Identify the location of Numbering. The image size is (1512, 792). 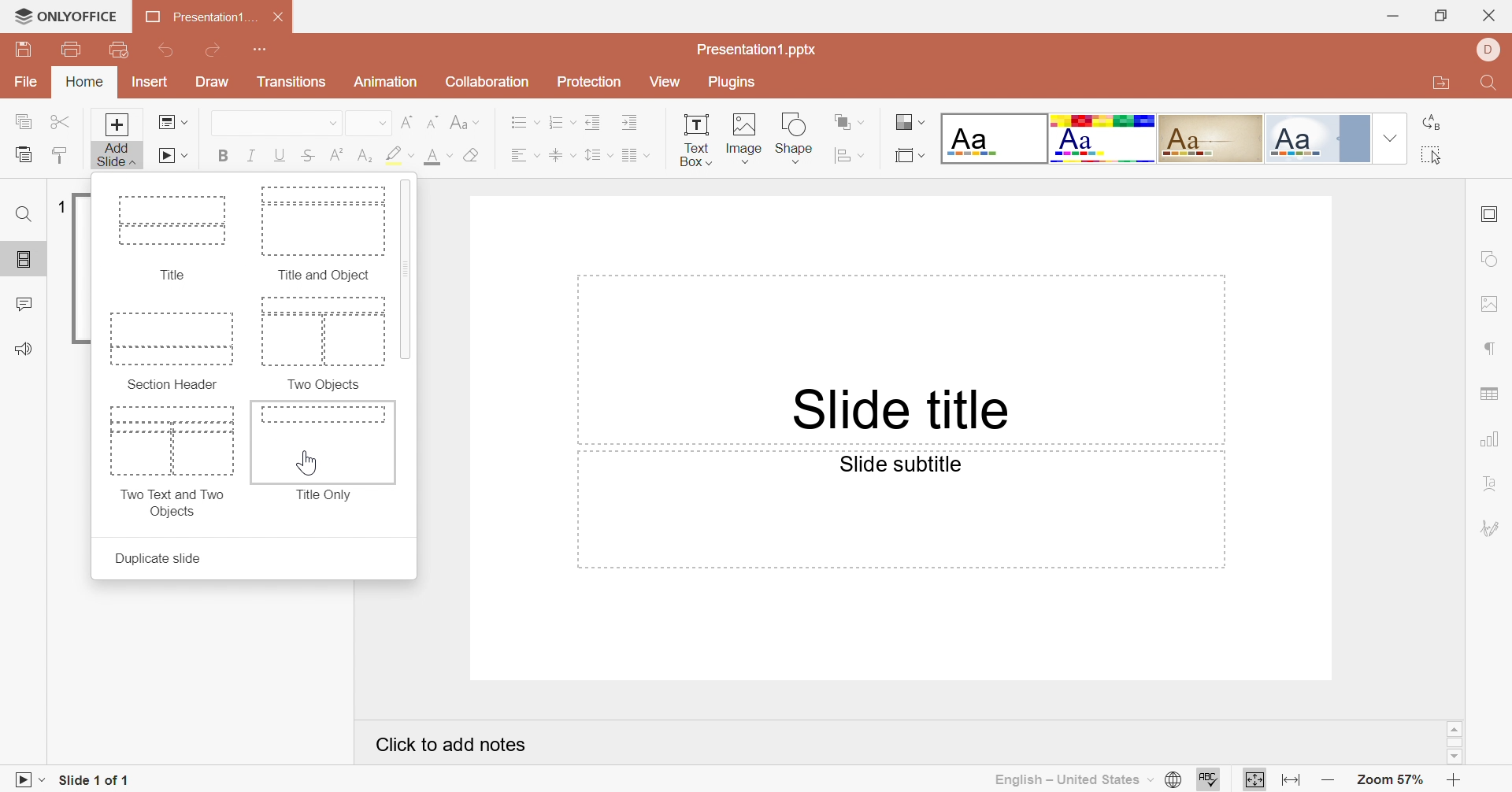
(565, 121).